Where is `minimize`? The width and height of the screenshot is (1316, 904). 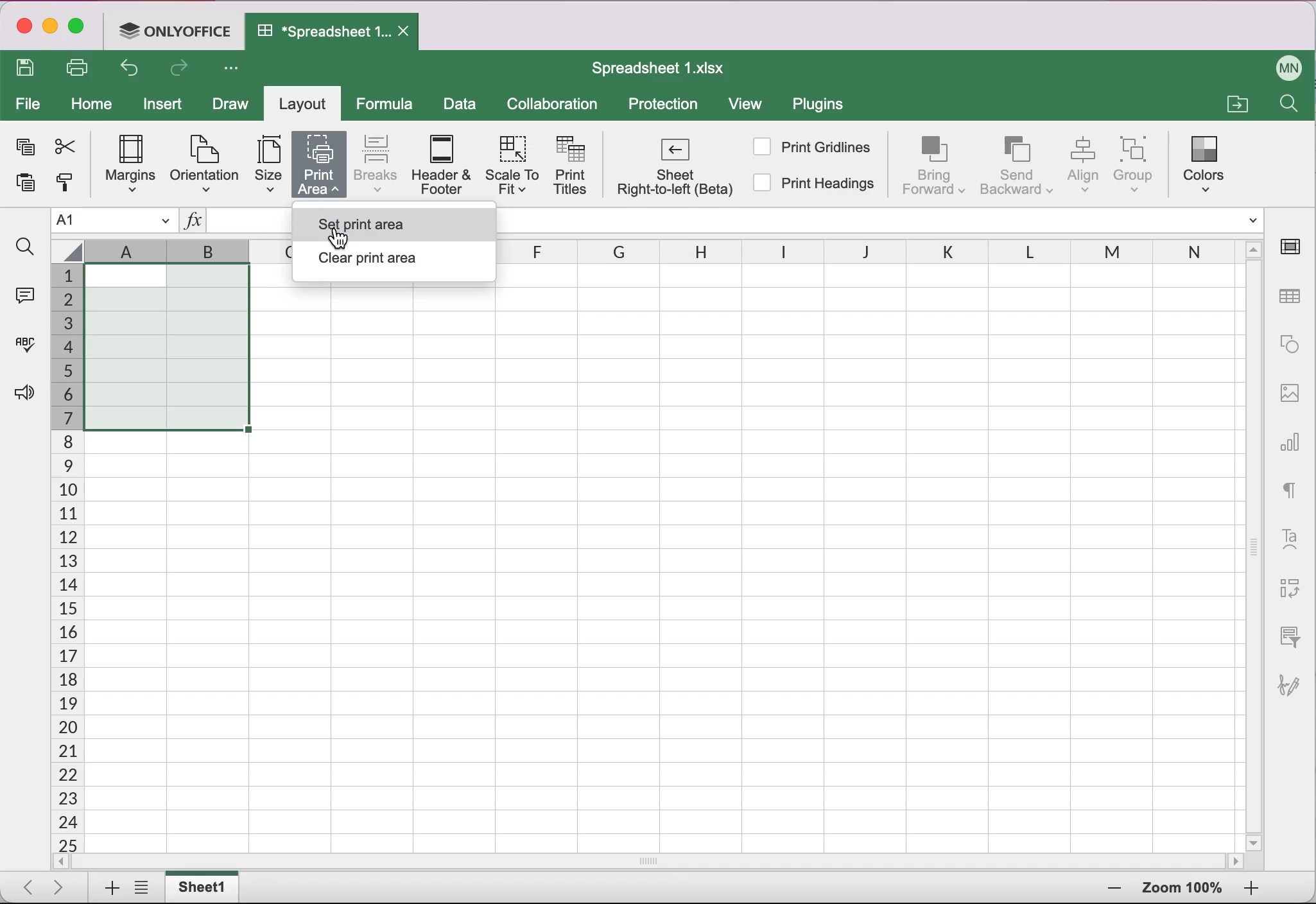
minimize is located at coordinates (50, 28).